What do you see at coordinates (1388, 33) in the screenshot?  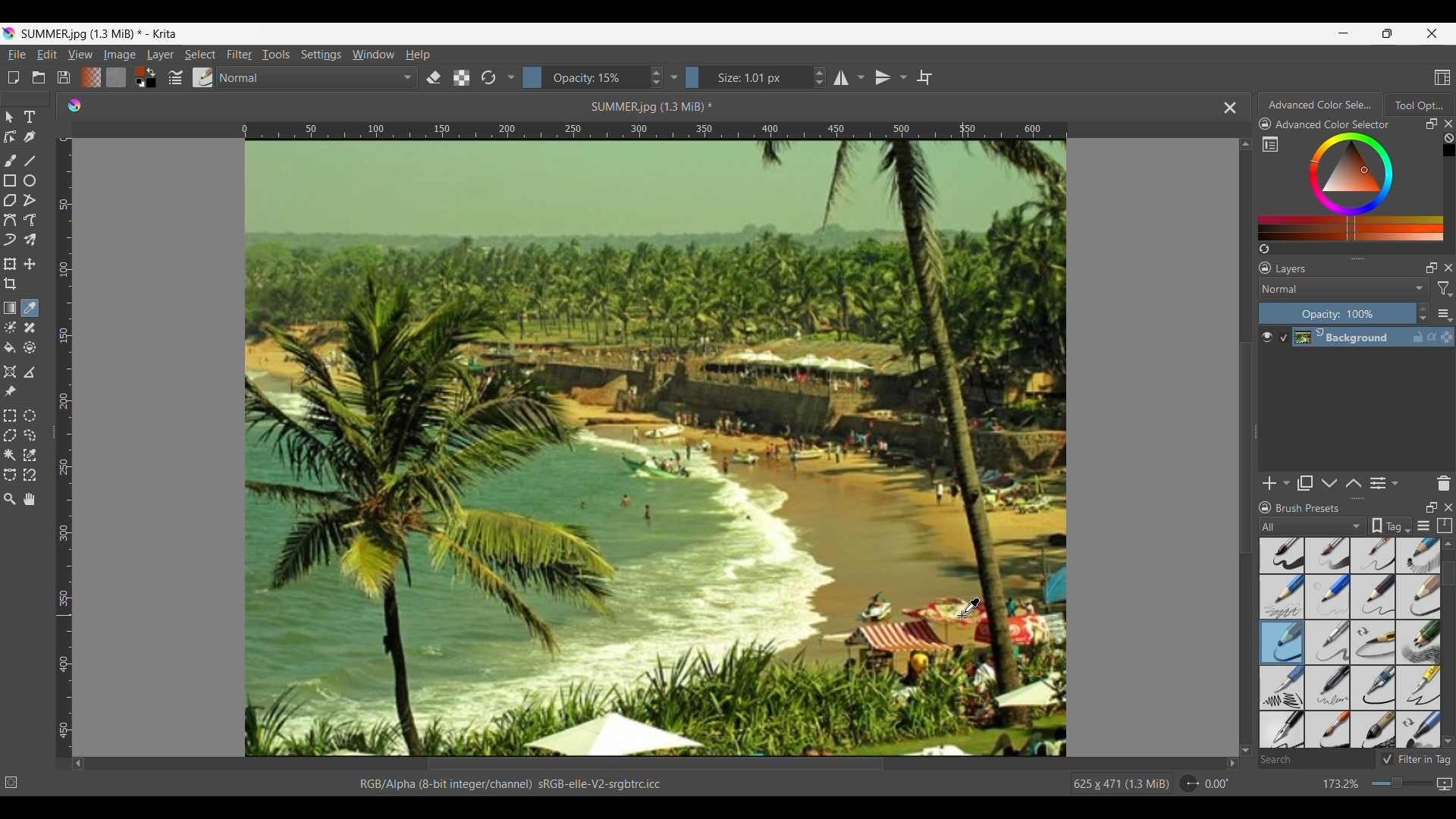 I see `Show interface in smaller tab` at bounding box center [1388, 33].